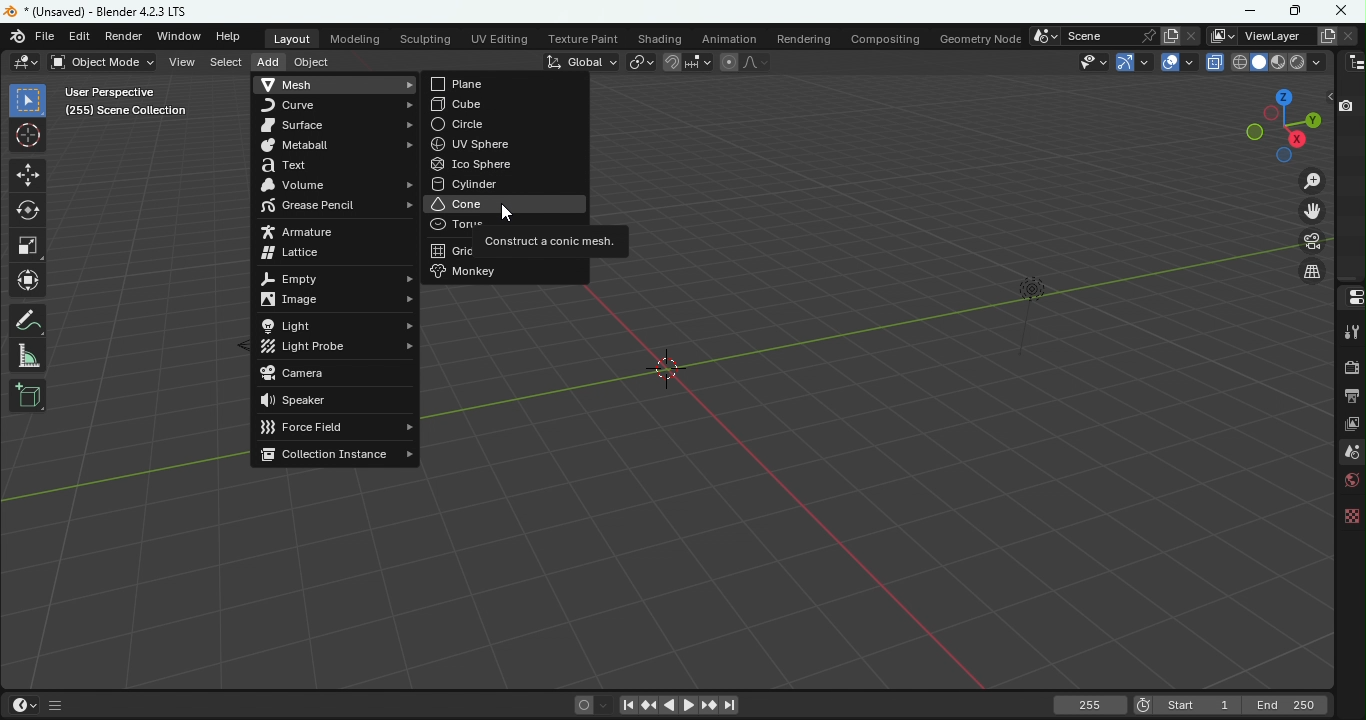 The width and height of the screenshot is (1366, 720). Describe the element at coordinates (1247, 11) in the screenshot. I see `Minimize` at that location.